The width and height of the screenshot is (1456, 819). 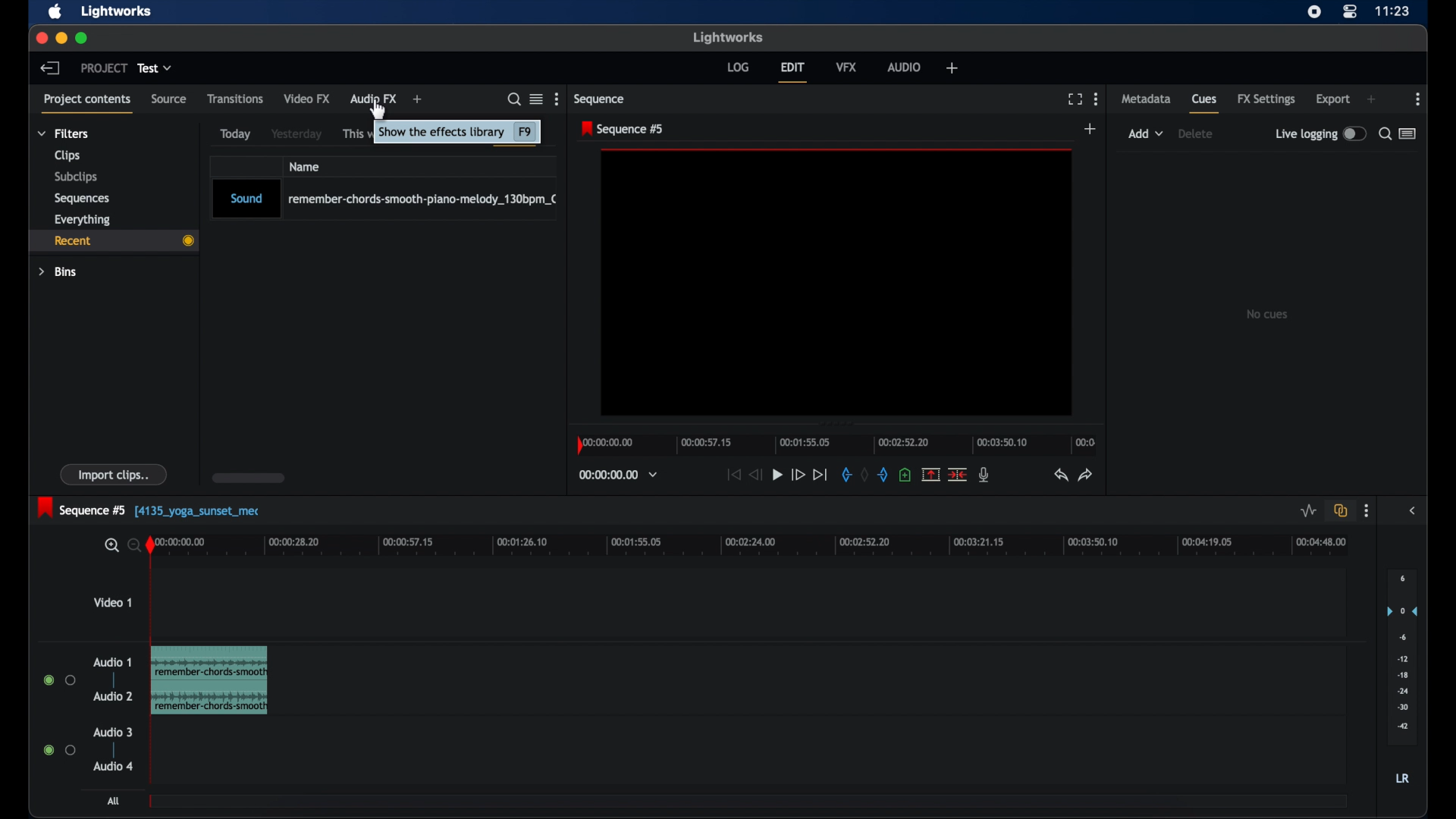 What do you see at coordinates (952, 67) in the screenshot?
I see `add` at bounding box center [952, 67].